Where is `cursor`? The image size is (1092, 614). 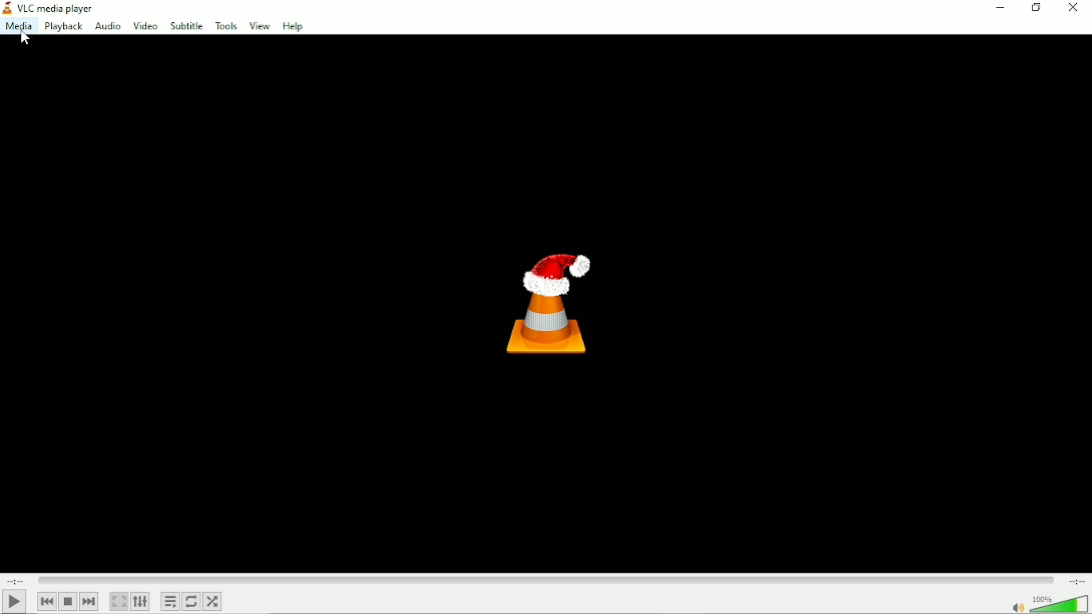
cursor is located at coordinates (26, 40).